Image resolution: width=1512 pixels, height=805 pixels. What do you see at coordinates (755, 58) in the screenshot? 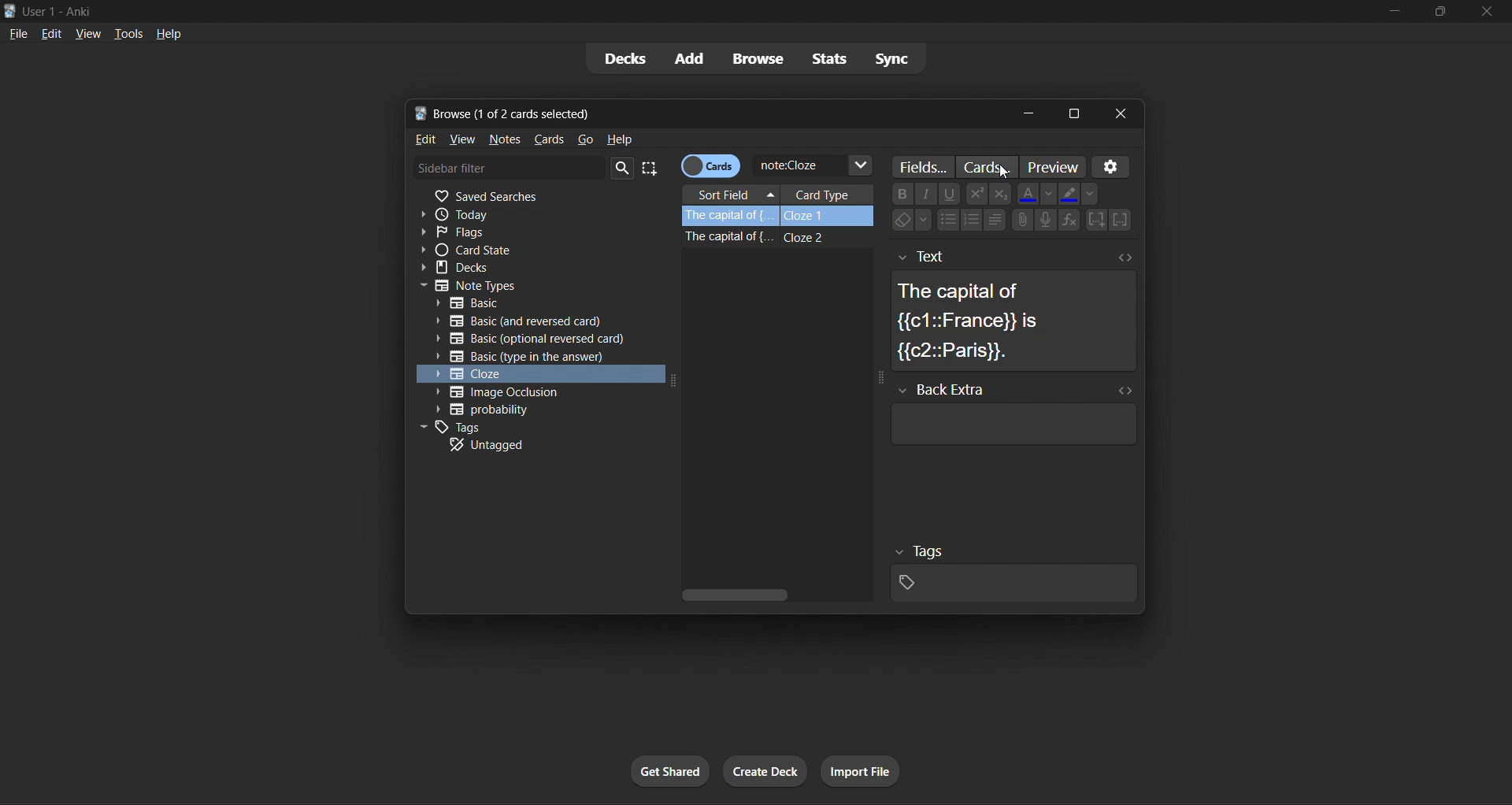
I see `browse` at bounding box center [755, 58].